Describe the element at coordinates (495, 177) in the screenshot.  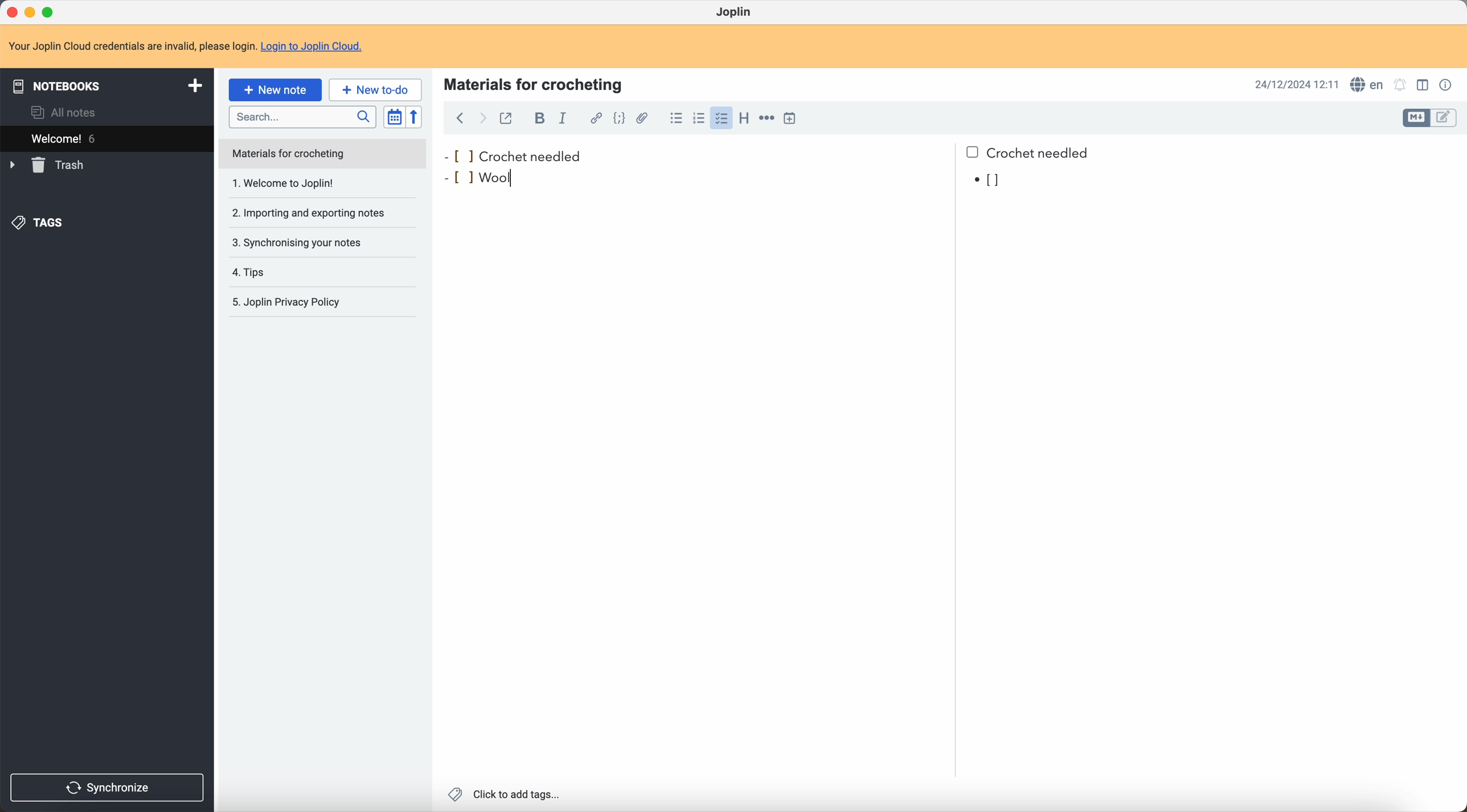
I see `wool` at that location.